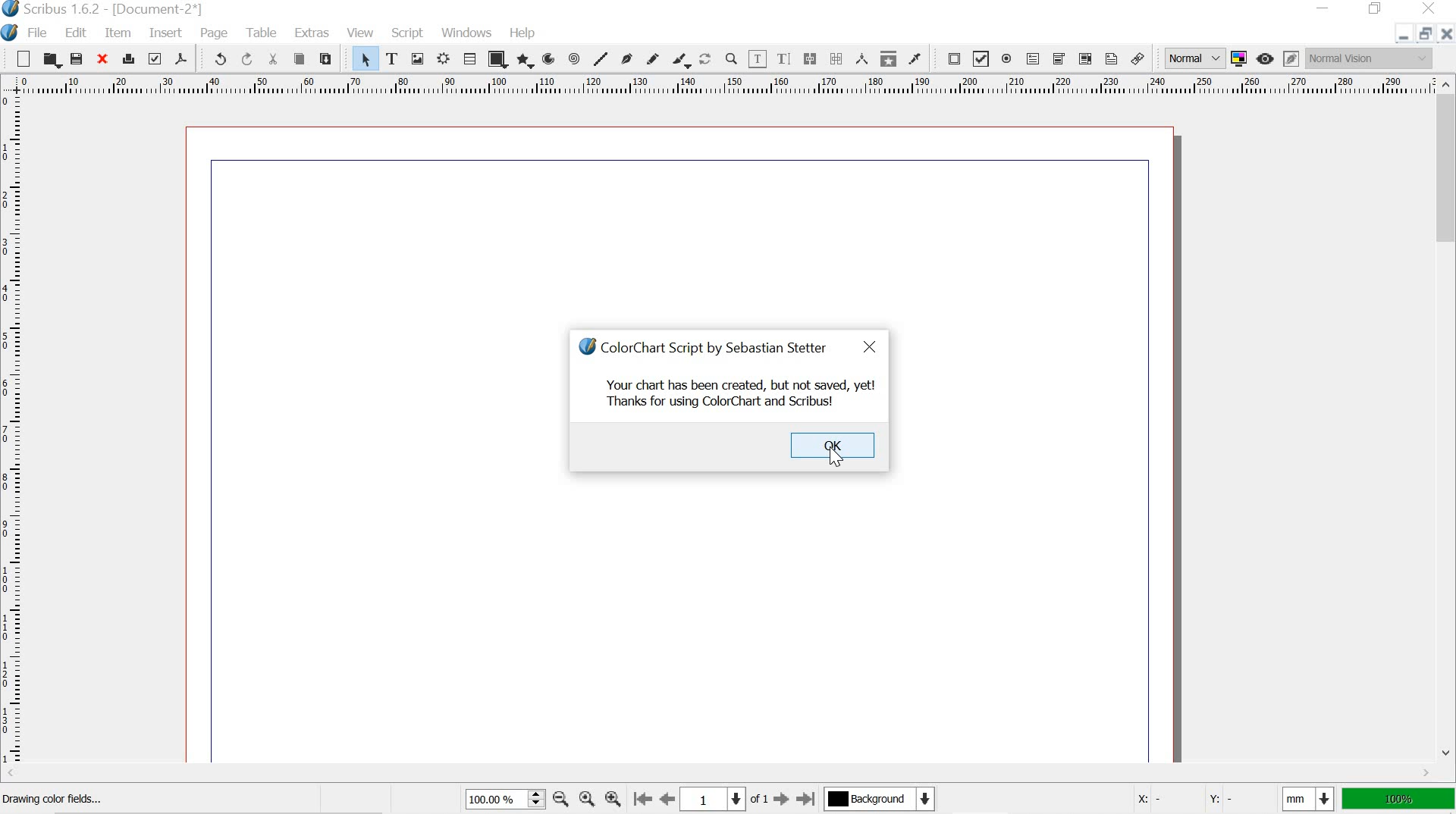 The height and width of the screenshot is (814, 1456). Describe the element at coordinates (11, 10) in the screenshot. I see `scribus logo` at that location.